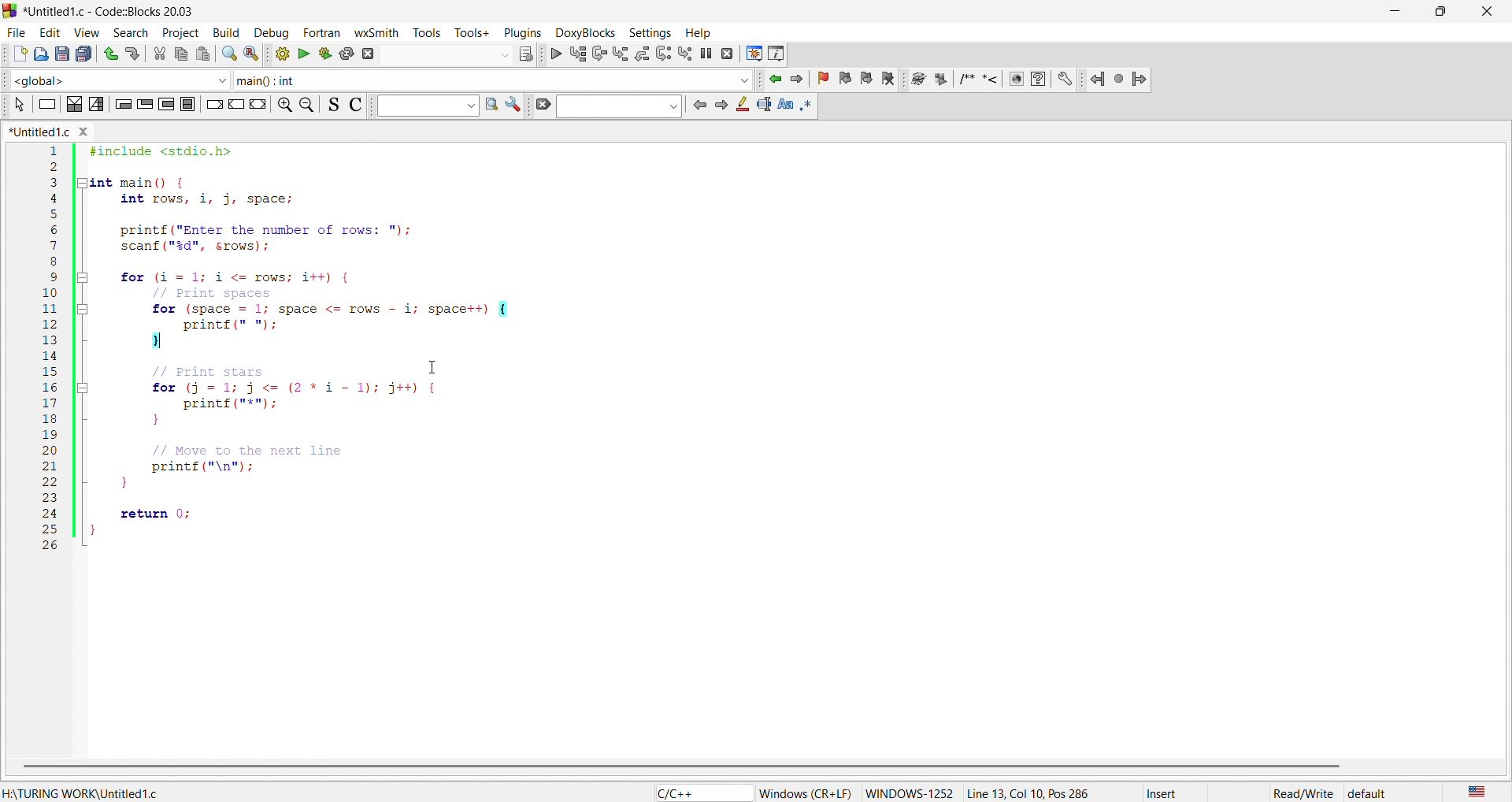 The height and width of the screenshot is (802, 1512). I want to click on search, so click(129, 29).